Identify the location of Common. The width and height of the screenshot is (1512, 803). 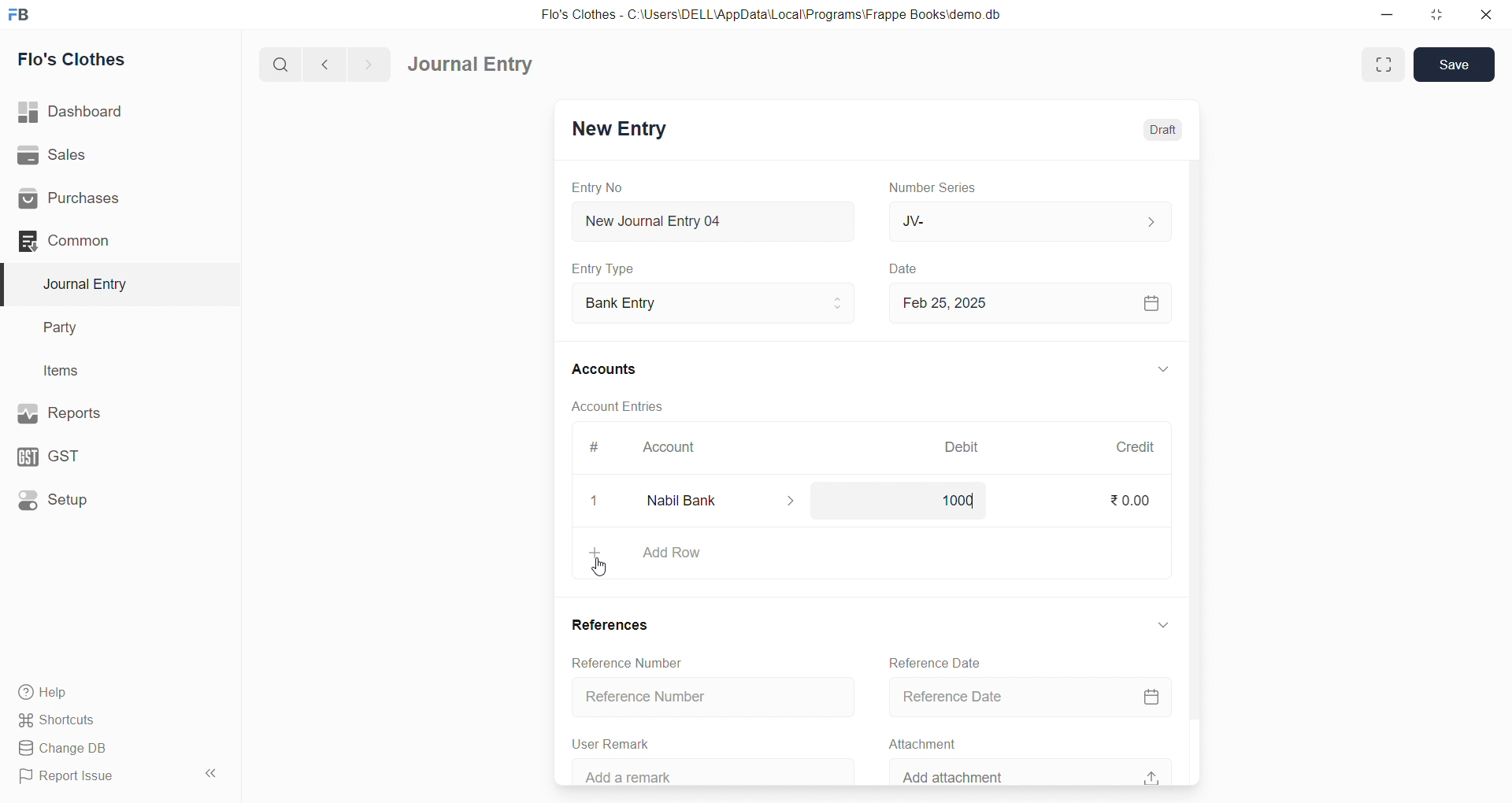
(106, 240).